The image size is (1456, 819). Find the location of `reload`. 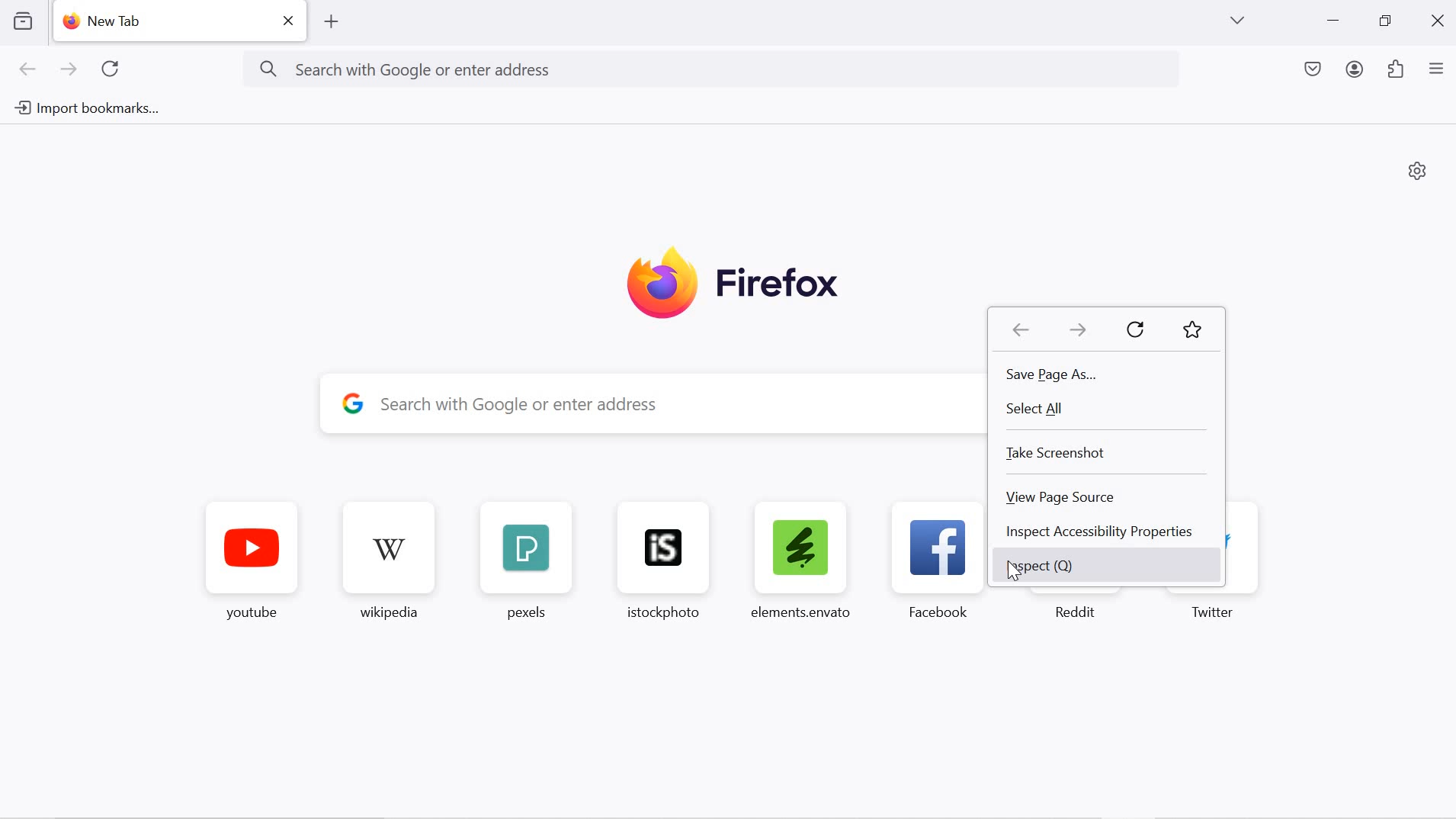

reload is located at coordinates (1140, 329).